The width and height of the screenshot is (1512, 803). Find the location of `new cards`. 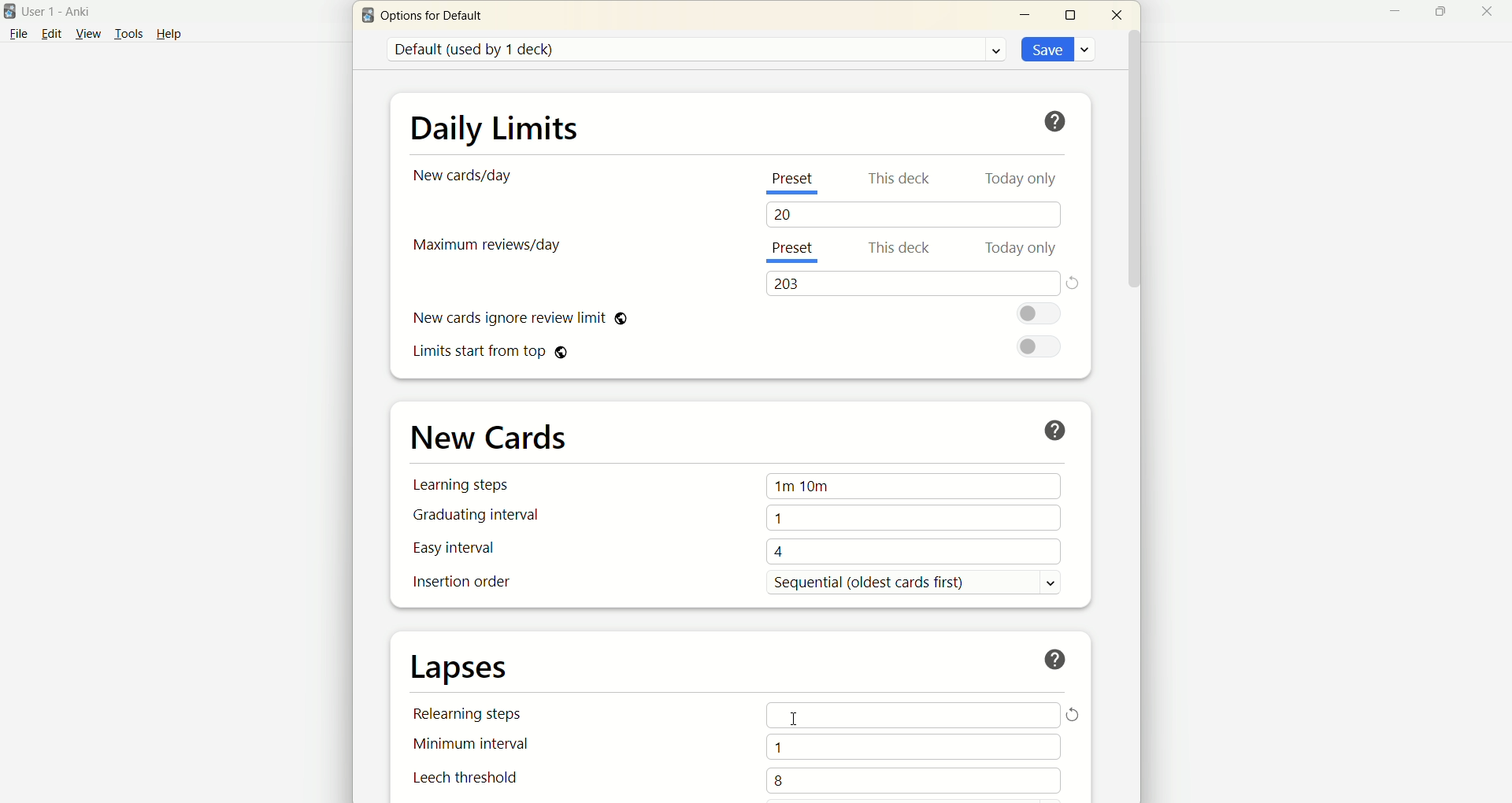

new cards is located at coordinates (490, 435).